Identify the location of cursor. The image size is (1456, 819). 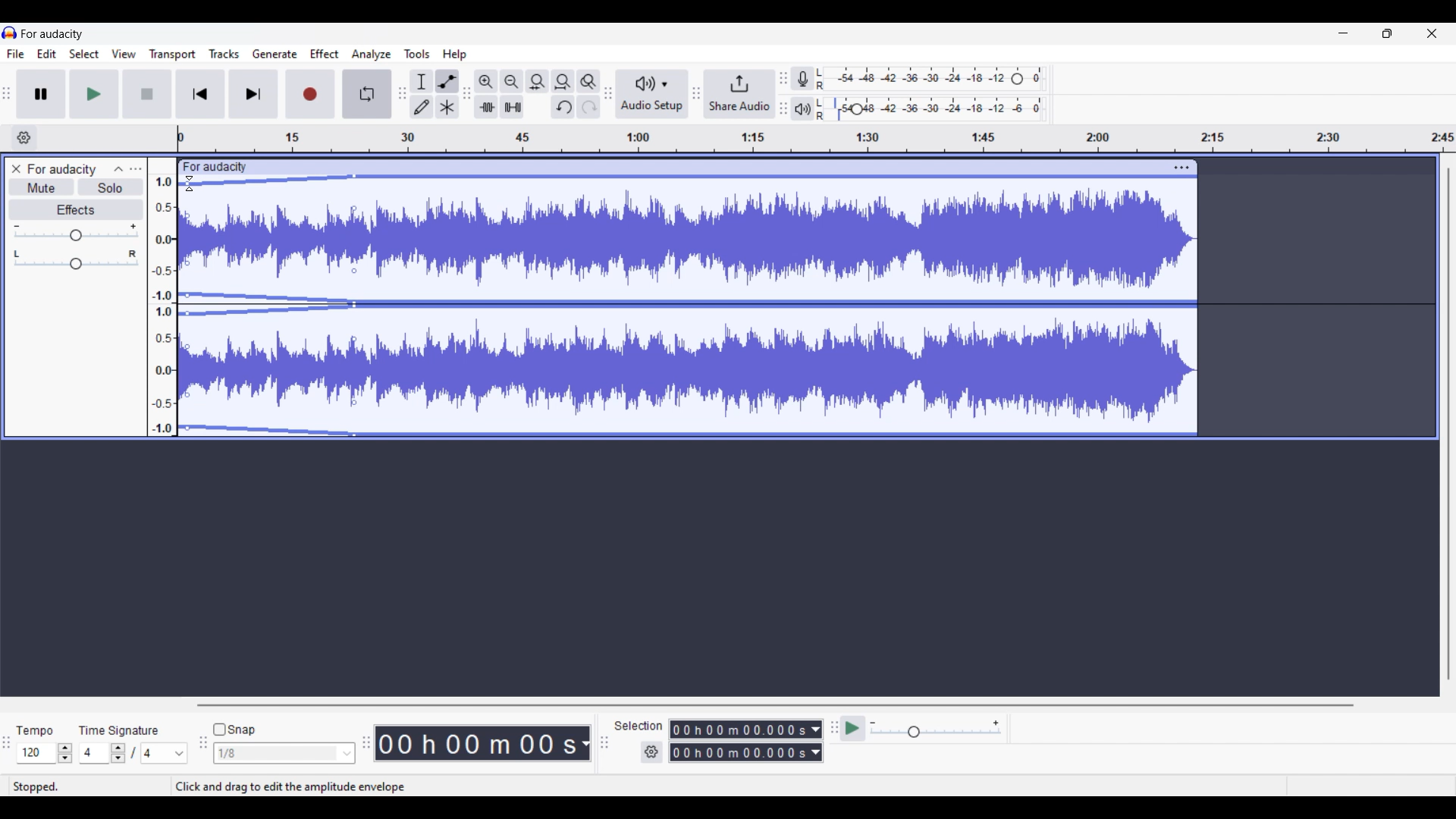
(190, 186).